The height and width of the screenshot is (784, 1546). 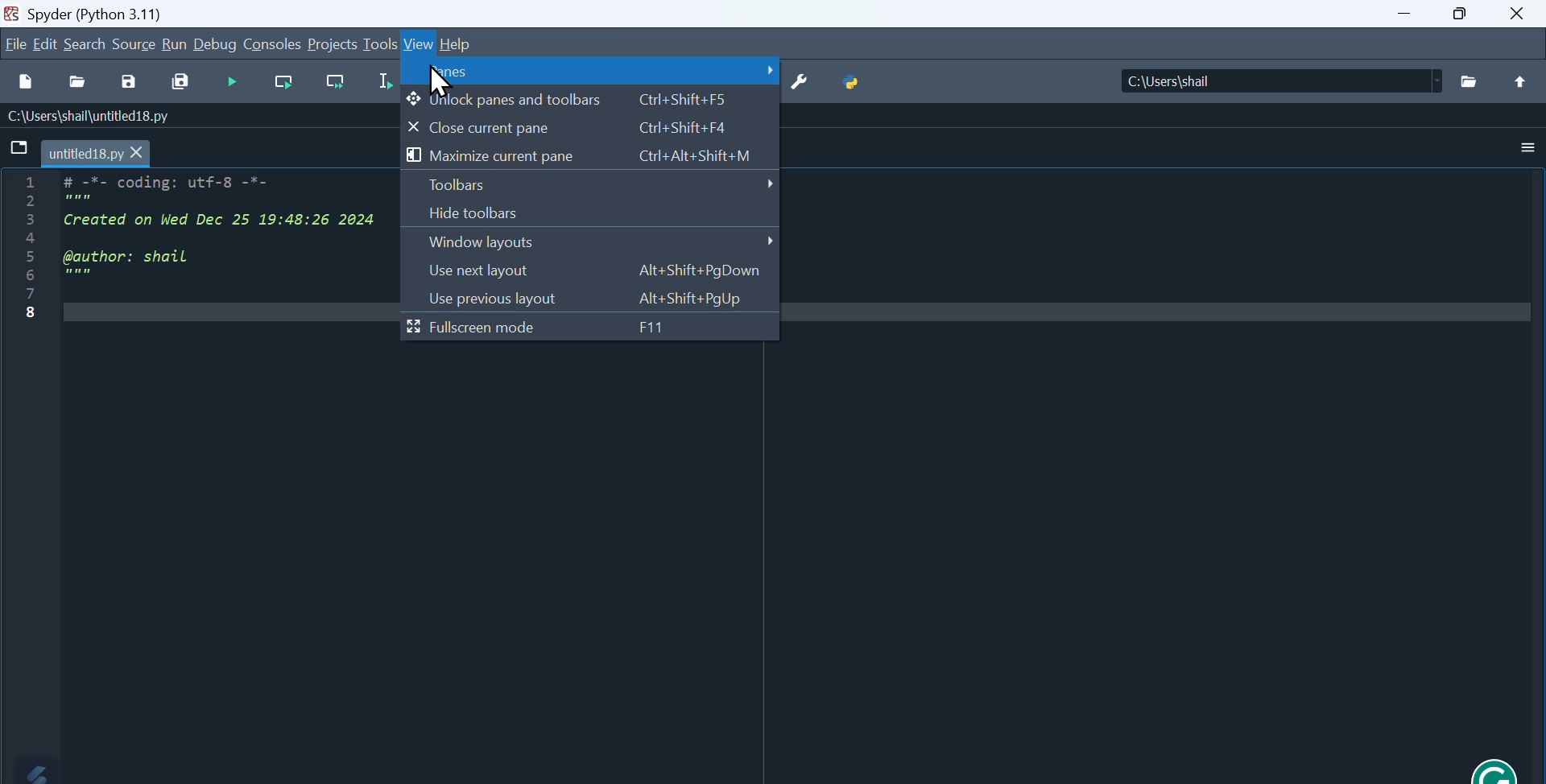 What do you see at coordinates (864, 83) in the screenshot?
I see `Python path manager` at bounding box center [864, 83].